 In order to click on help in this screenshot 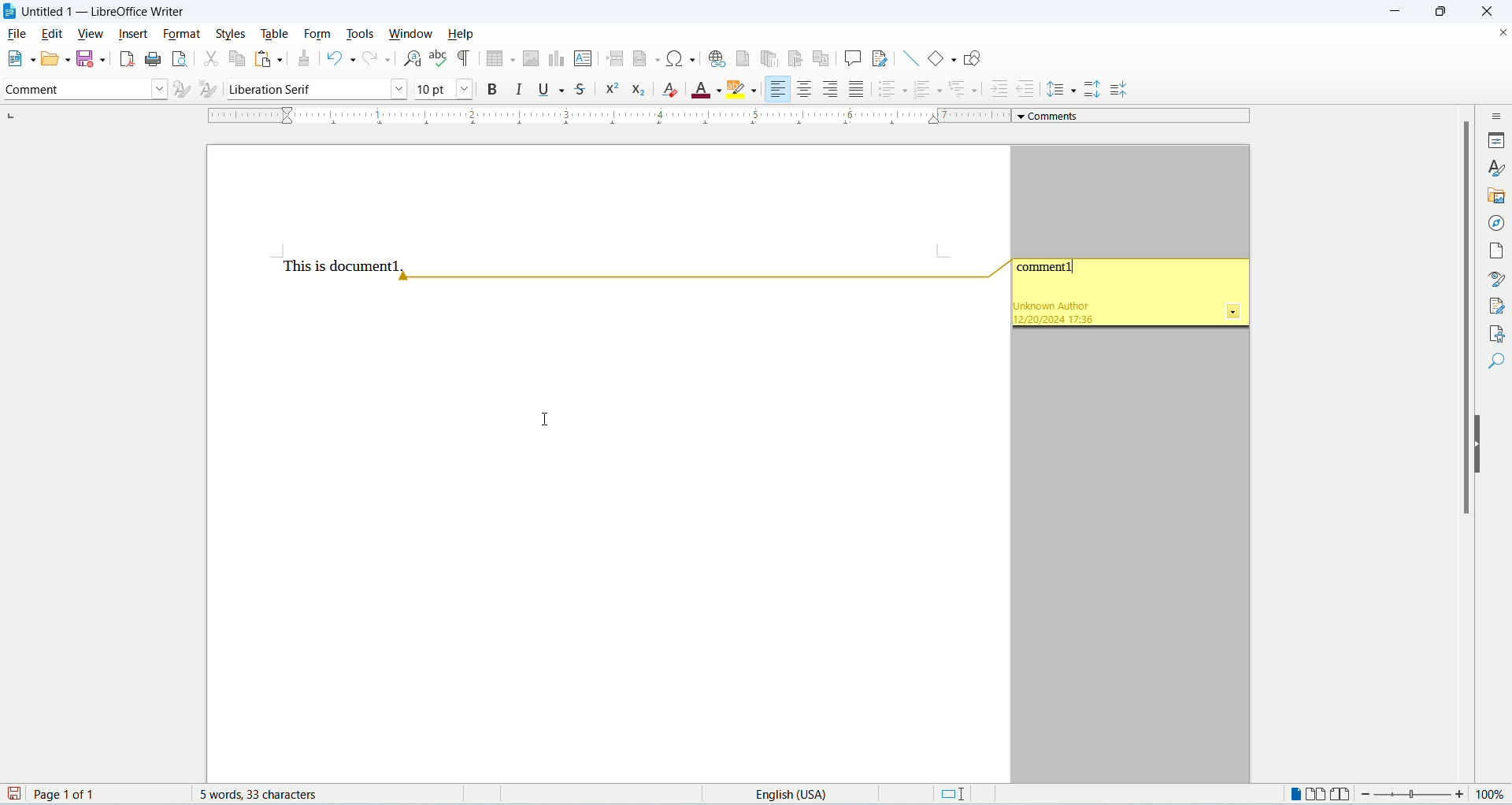, I will do `click(462, 34)`.